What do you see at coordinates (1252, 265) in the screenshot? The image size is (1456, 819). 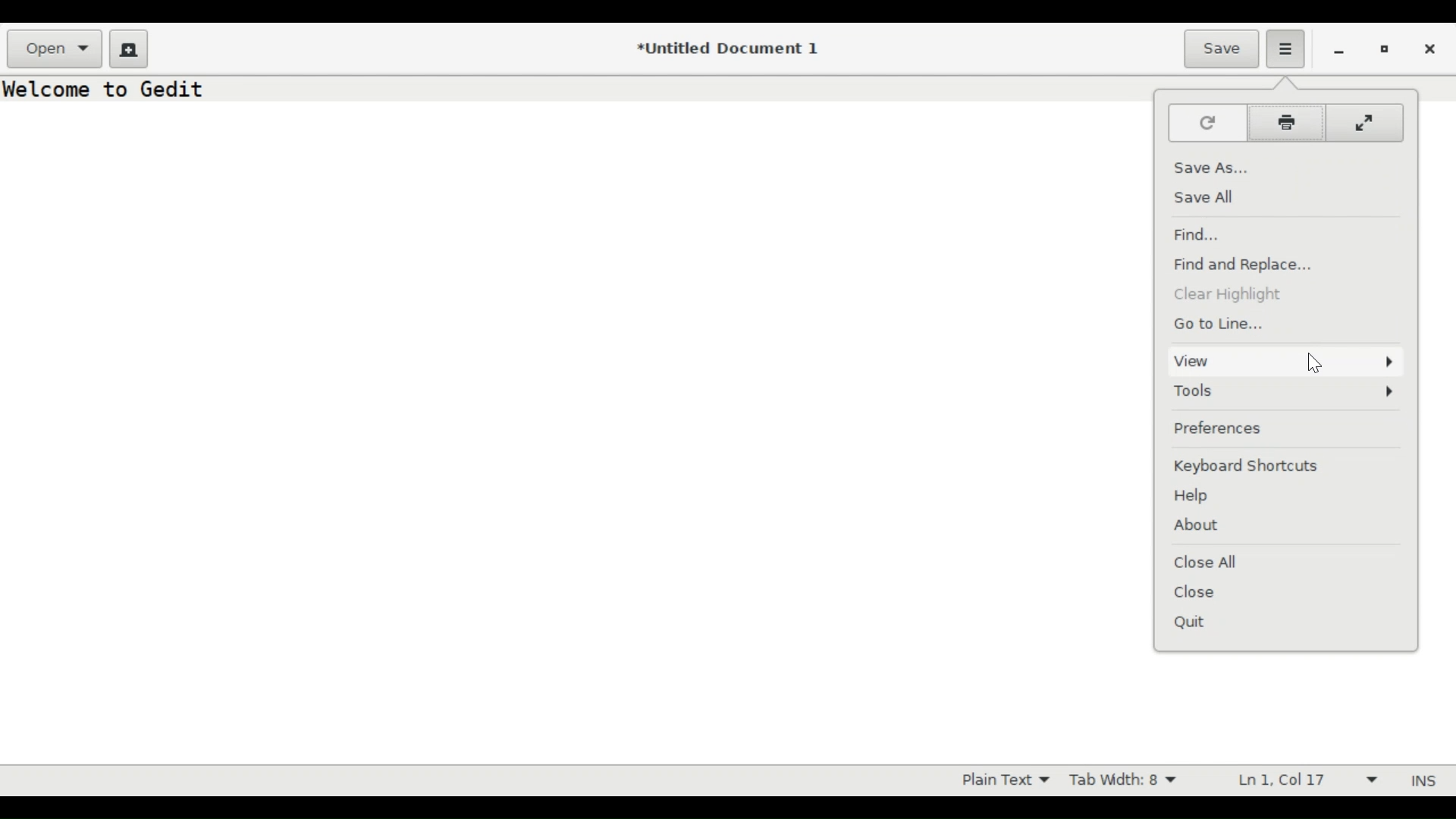 I see `Find and Replace` at bounding box center [1252, 265].